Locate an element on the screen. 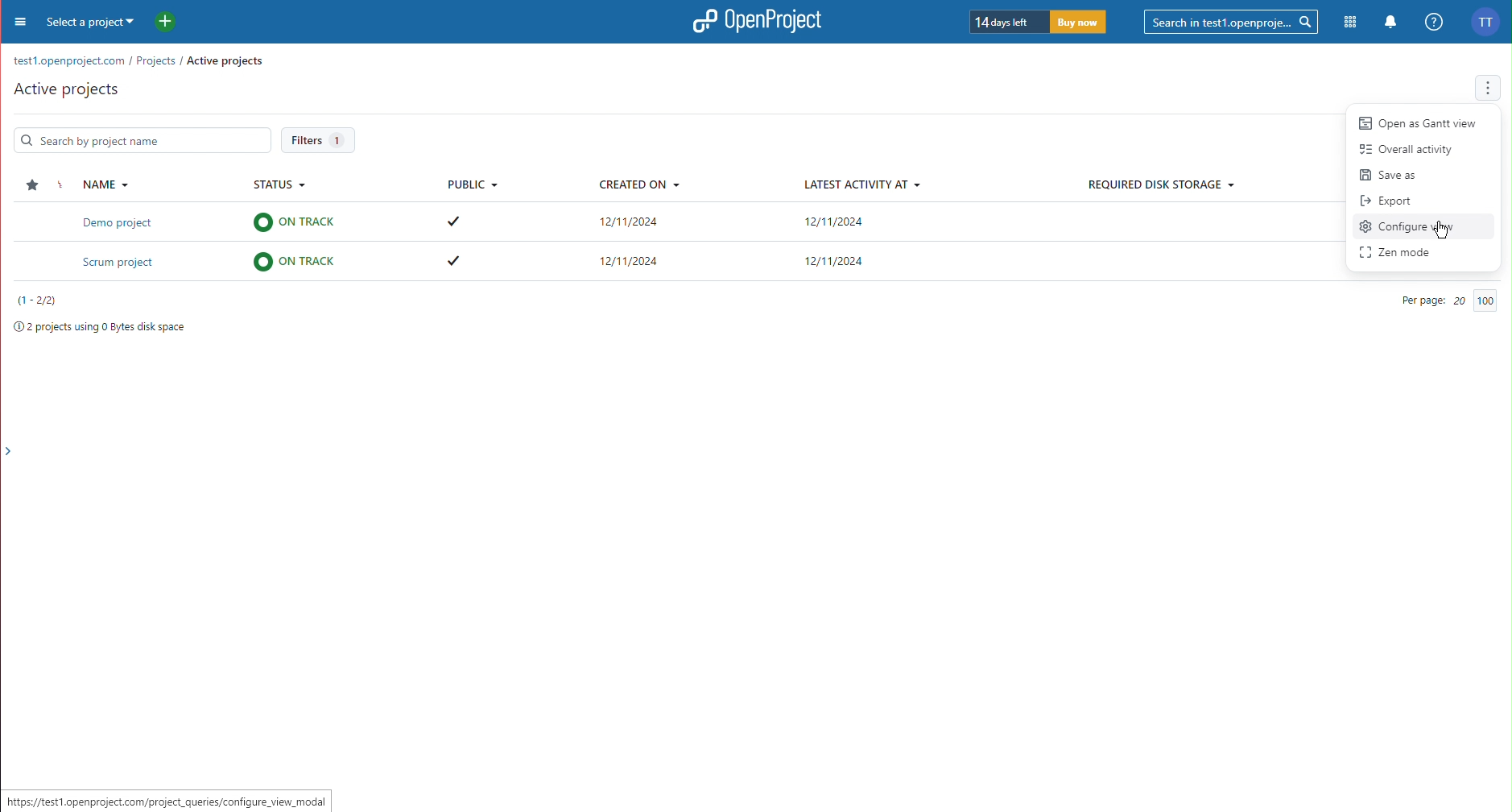 Image resolution: width=1512 pixels, height=812 pixels. Scrum project is located at coordinates (704, 264).